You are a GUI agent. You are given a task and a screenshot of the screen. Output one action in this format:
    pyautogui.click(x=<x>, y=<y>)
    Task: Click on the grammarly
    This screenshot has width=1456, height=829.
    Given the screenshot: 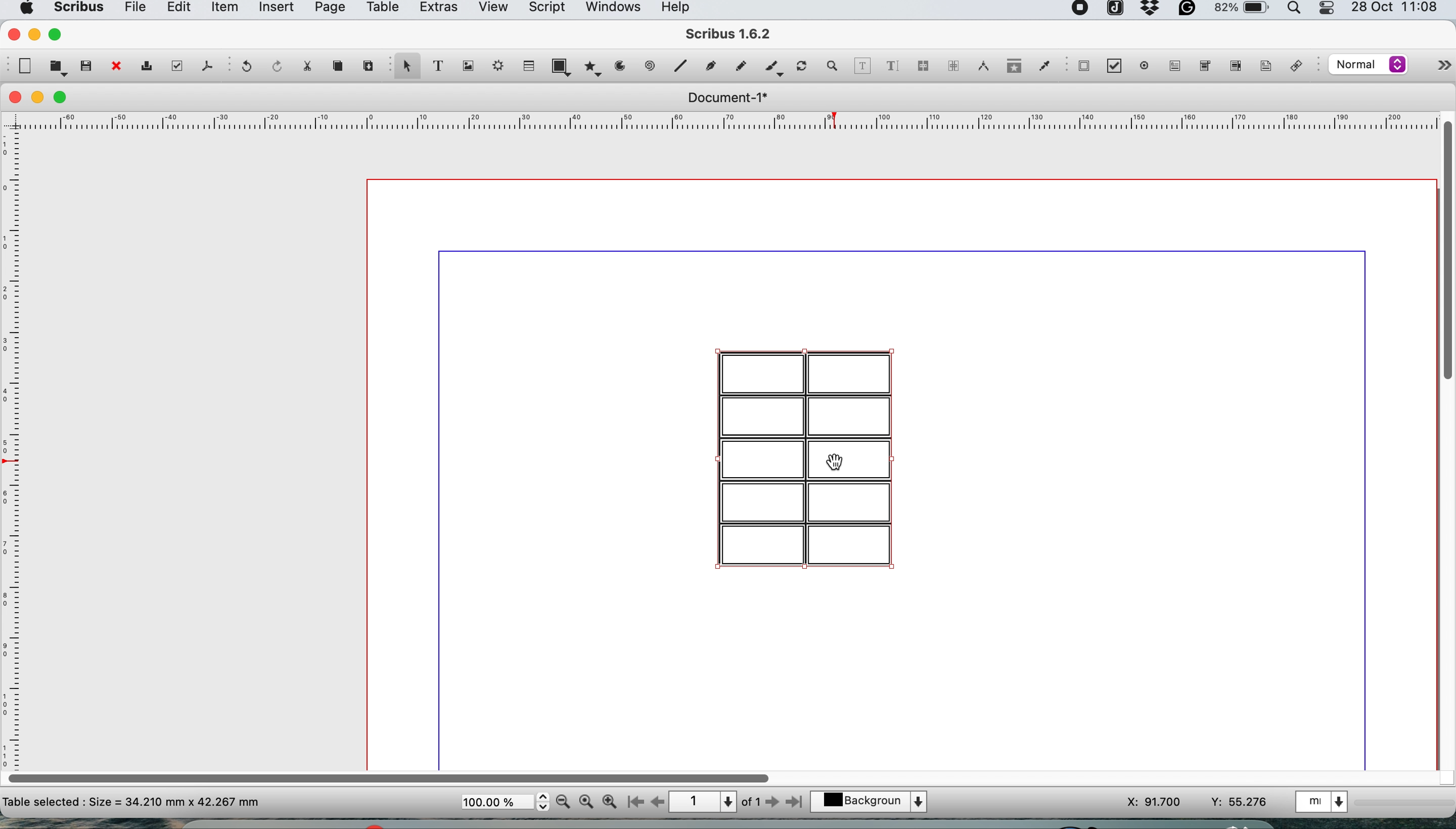 What is the action you would take?
    pyautogui.click(x=1189, y=11)
    